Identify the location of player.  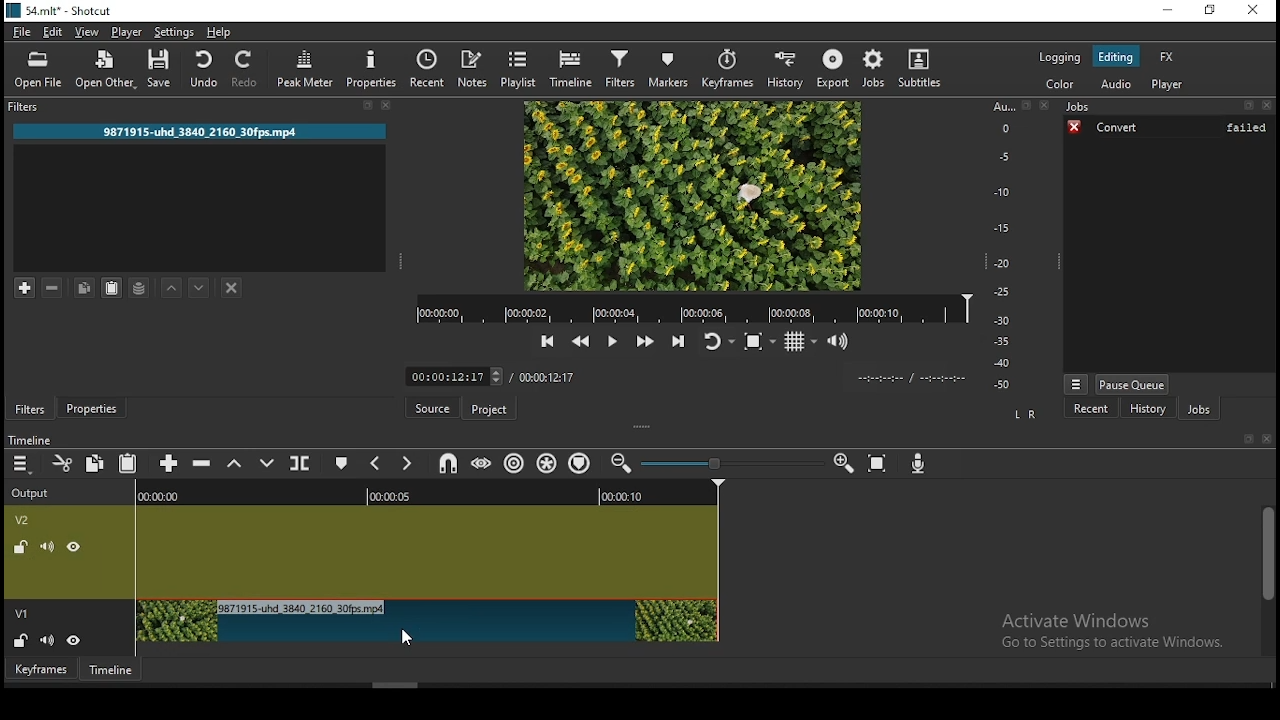
(1168, 83).